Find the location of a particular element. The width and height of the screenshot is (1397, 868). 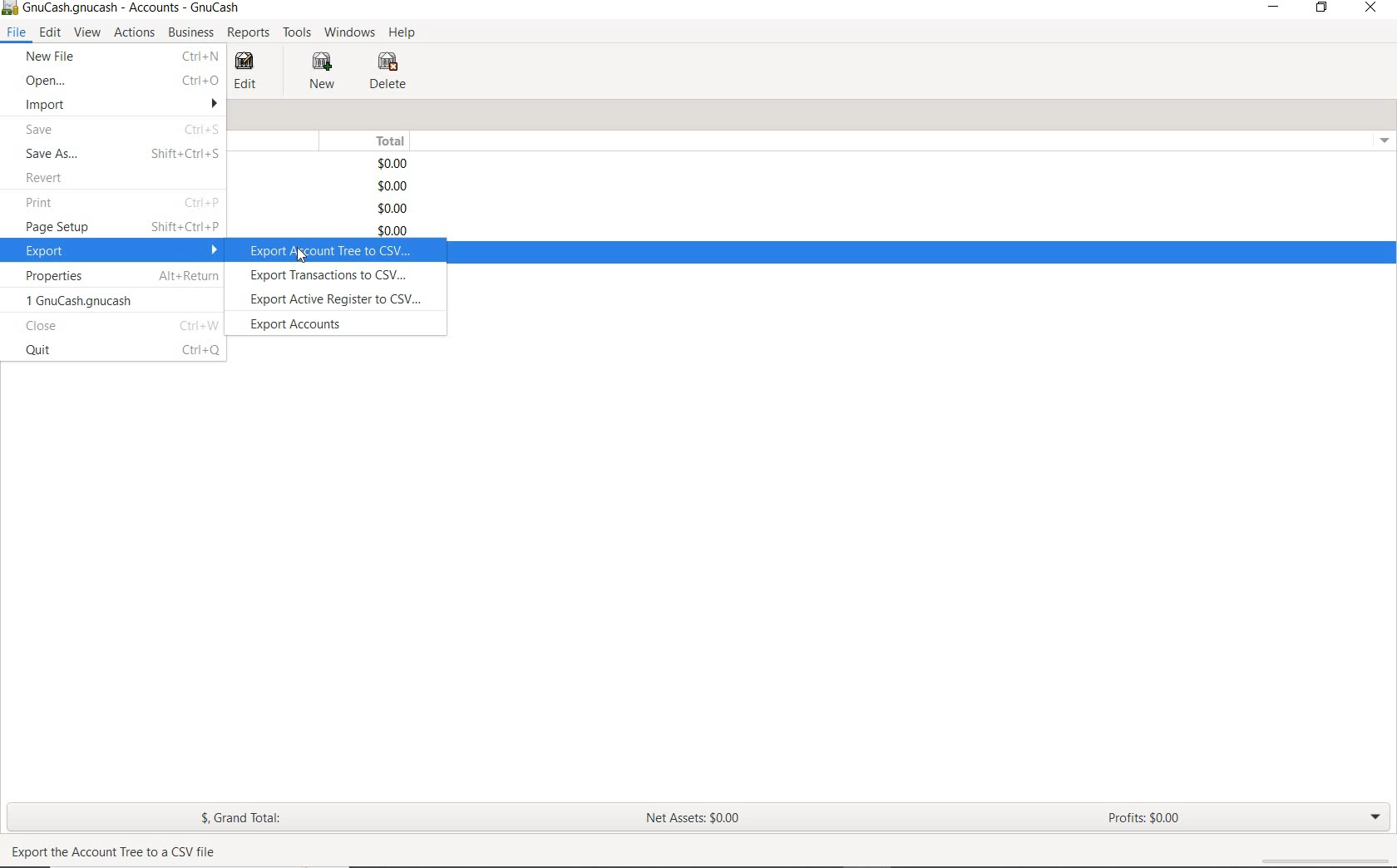

VIEW is located at coordinates (90, 32).